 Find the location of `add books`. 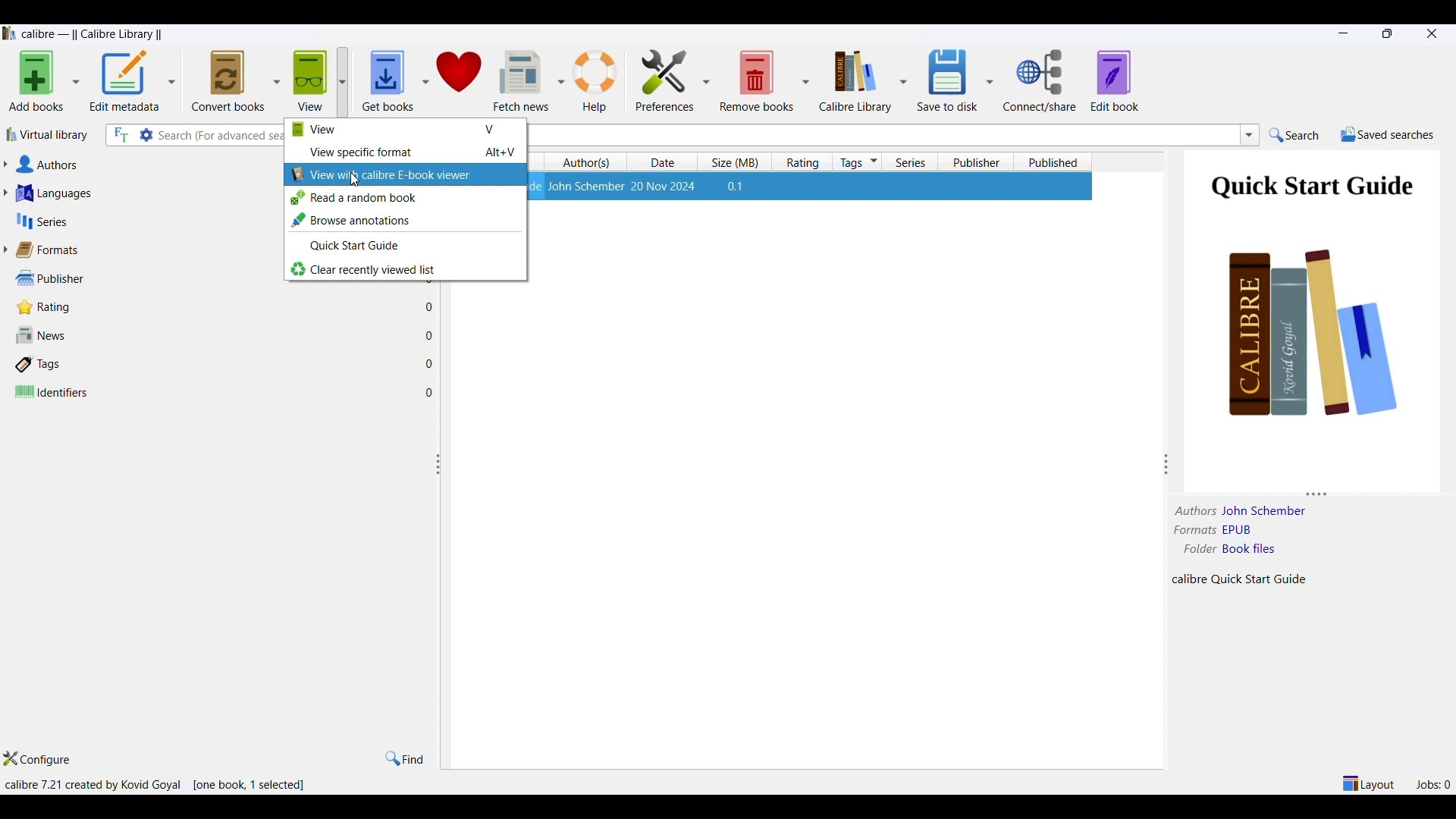

add books is located at coordinates (37, 83).